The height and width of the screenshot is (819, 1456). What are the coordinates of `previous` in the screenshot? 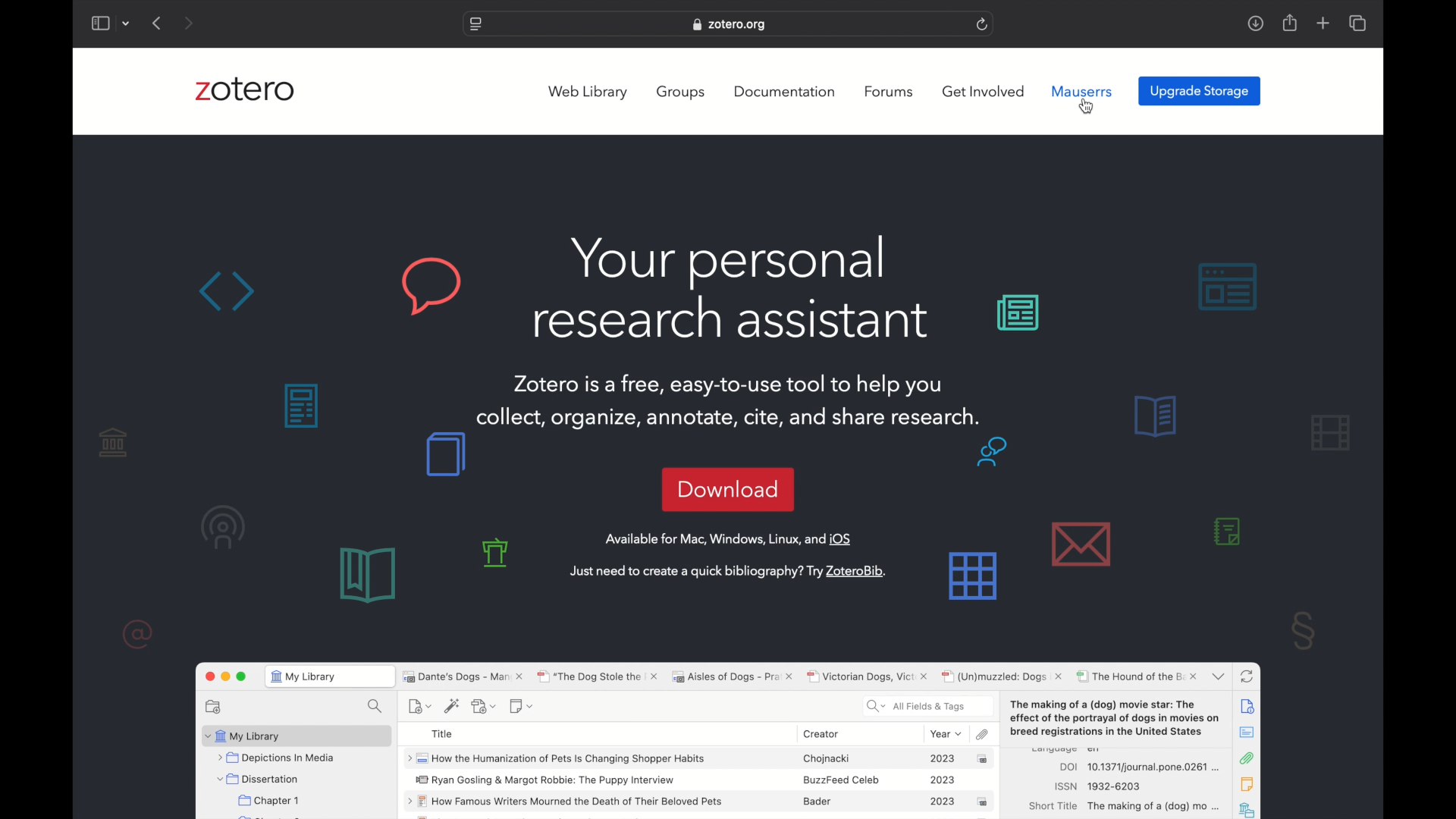 It's located at (158, 23).